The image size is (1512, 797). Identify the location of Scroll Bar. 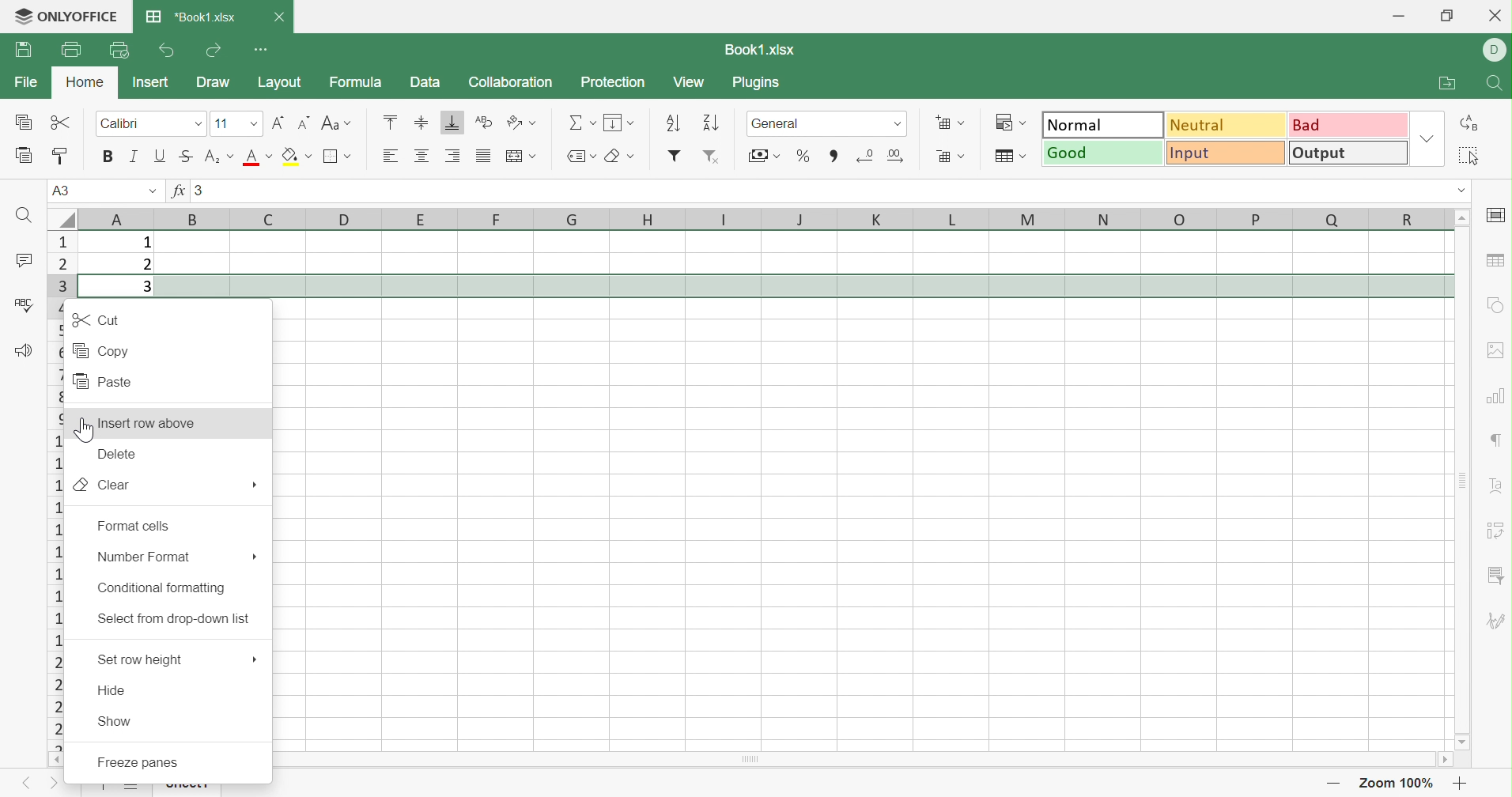
(1464, 480).